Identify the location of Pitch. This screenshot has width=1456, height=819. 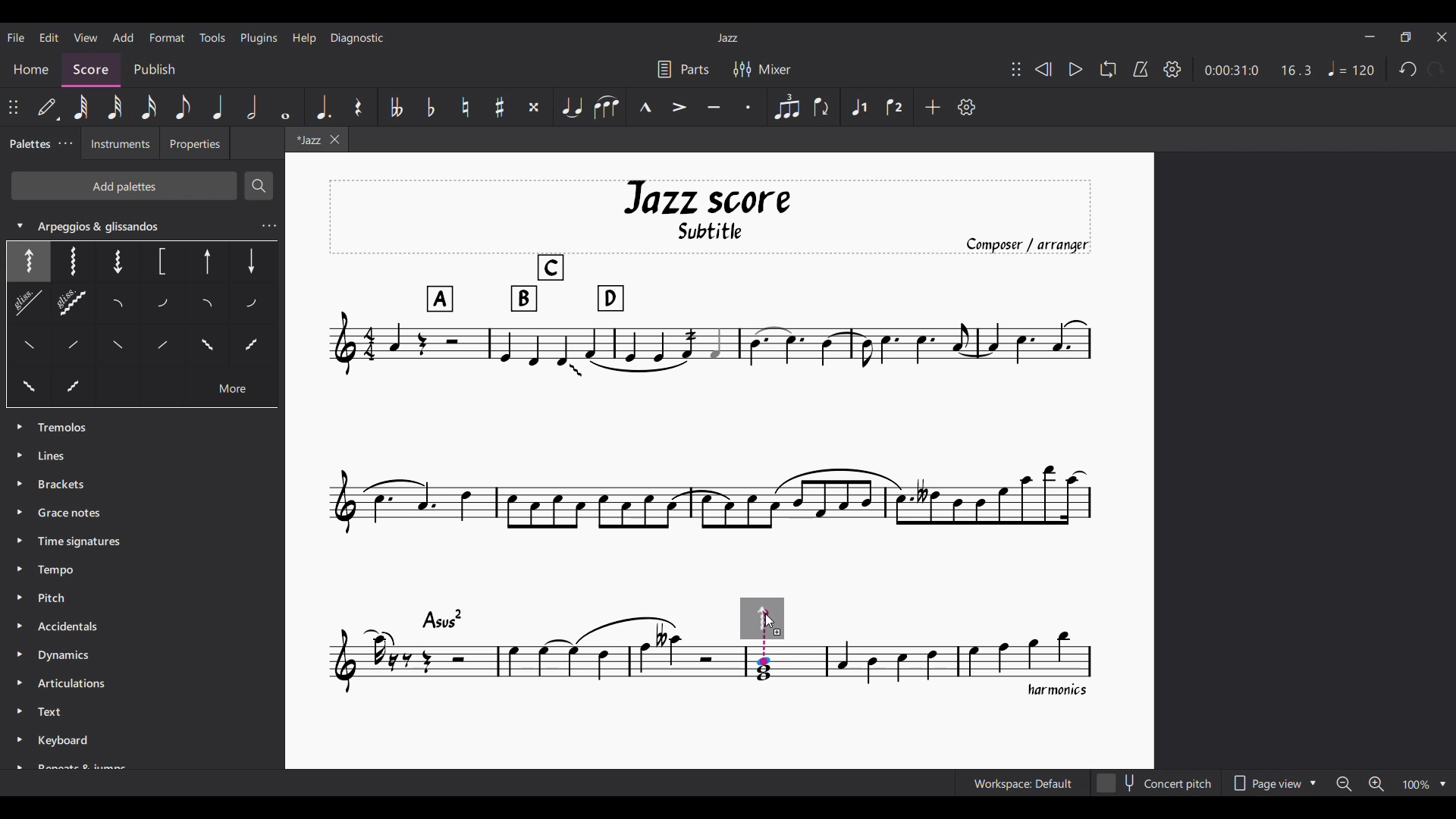
(59, 598).